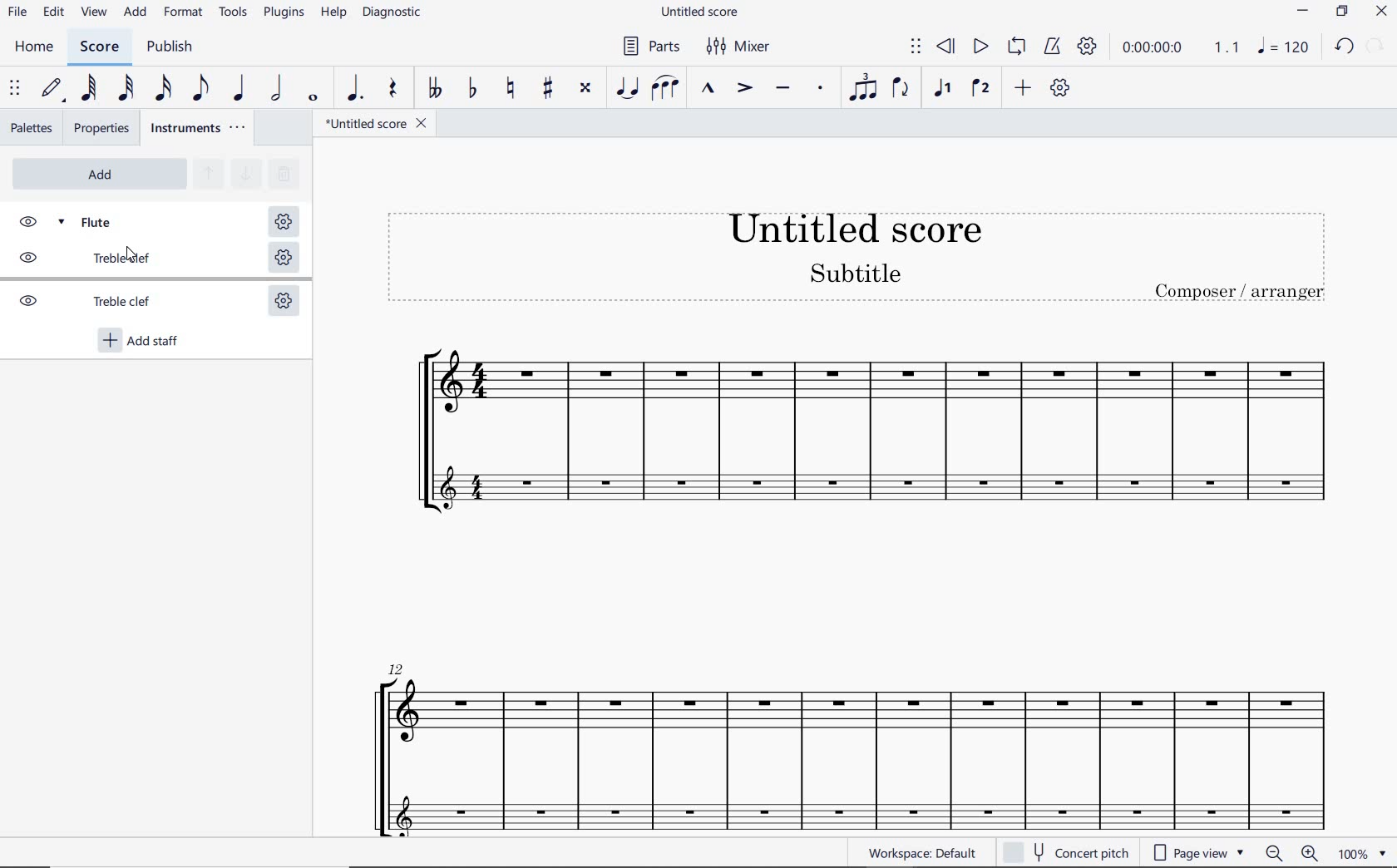  What do you see at coordinates (1178, 47) in the screenshot?
I see `PLAY TIME` at bounding box center [1178, 47].